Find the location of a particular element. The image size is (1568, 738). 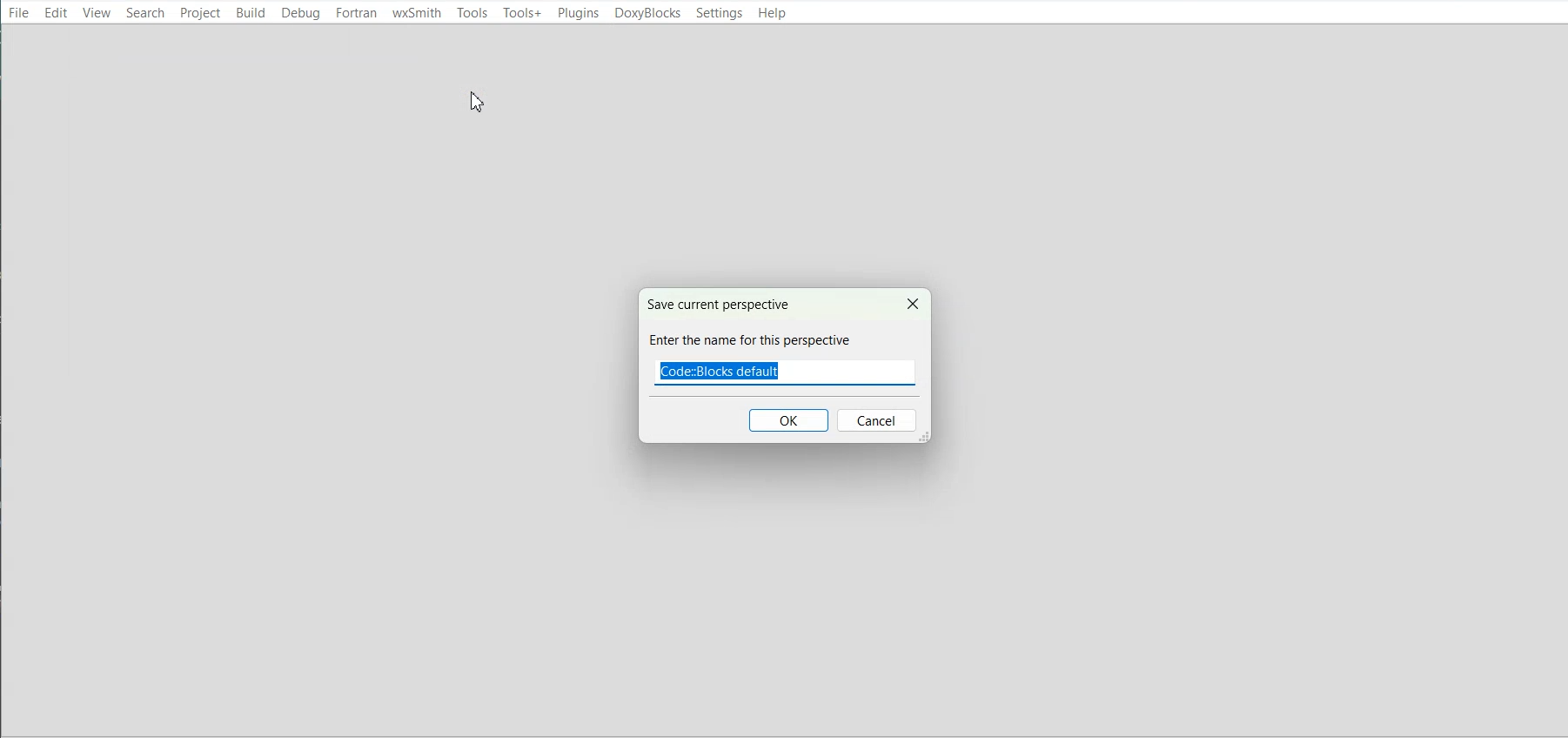

File is located at coordinates (19, 11).